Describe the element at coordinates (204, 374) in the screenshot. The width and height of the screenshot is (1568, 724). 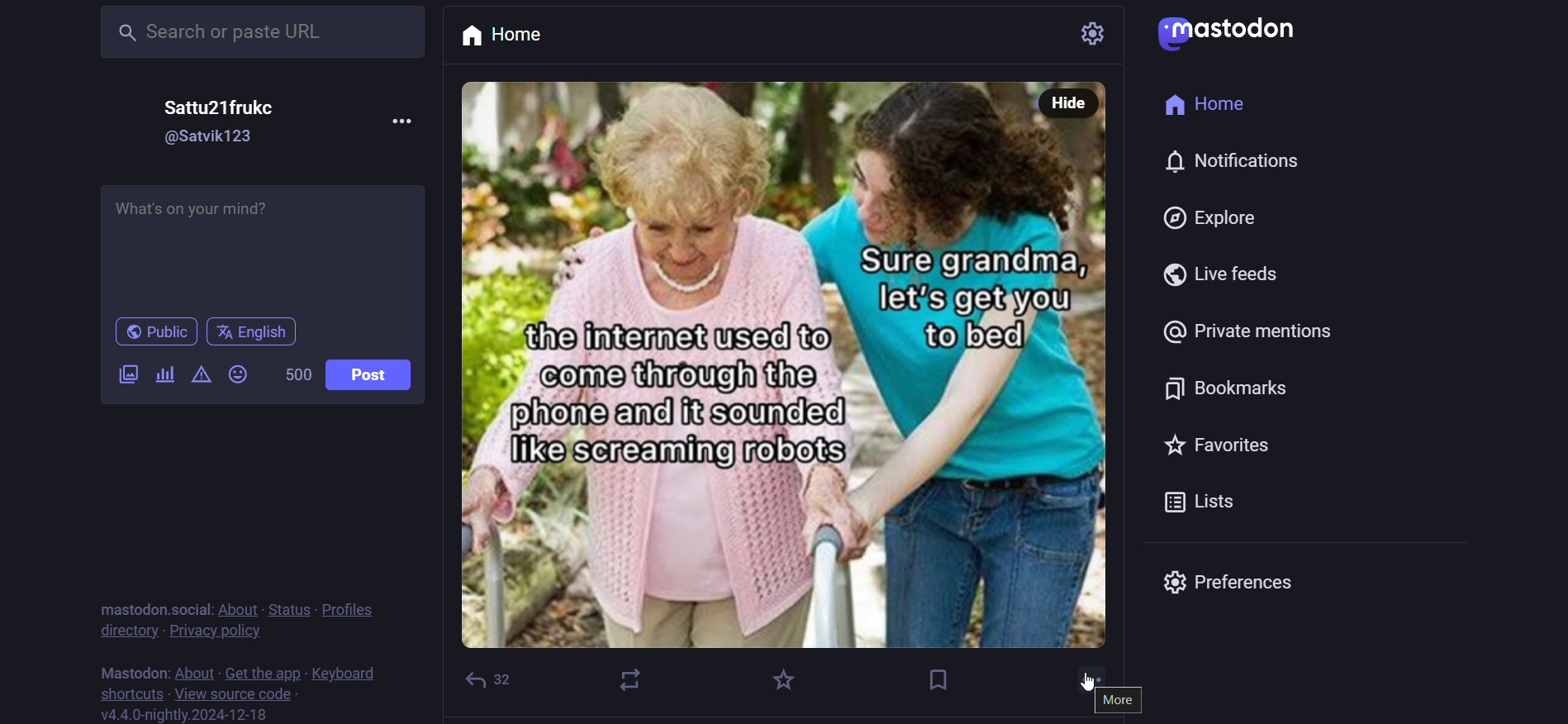
I see `content warning` at that location.